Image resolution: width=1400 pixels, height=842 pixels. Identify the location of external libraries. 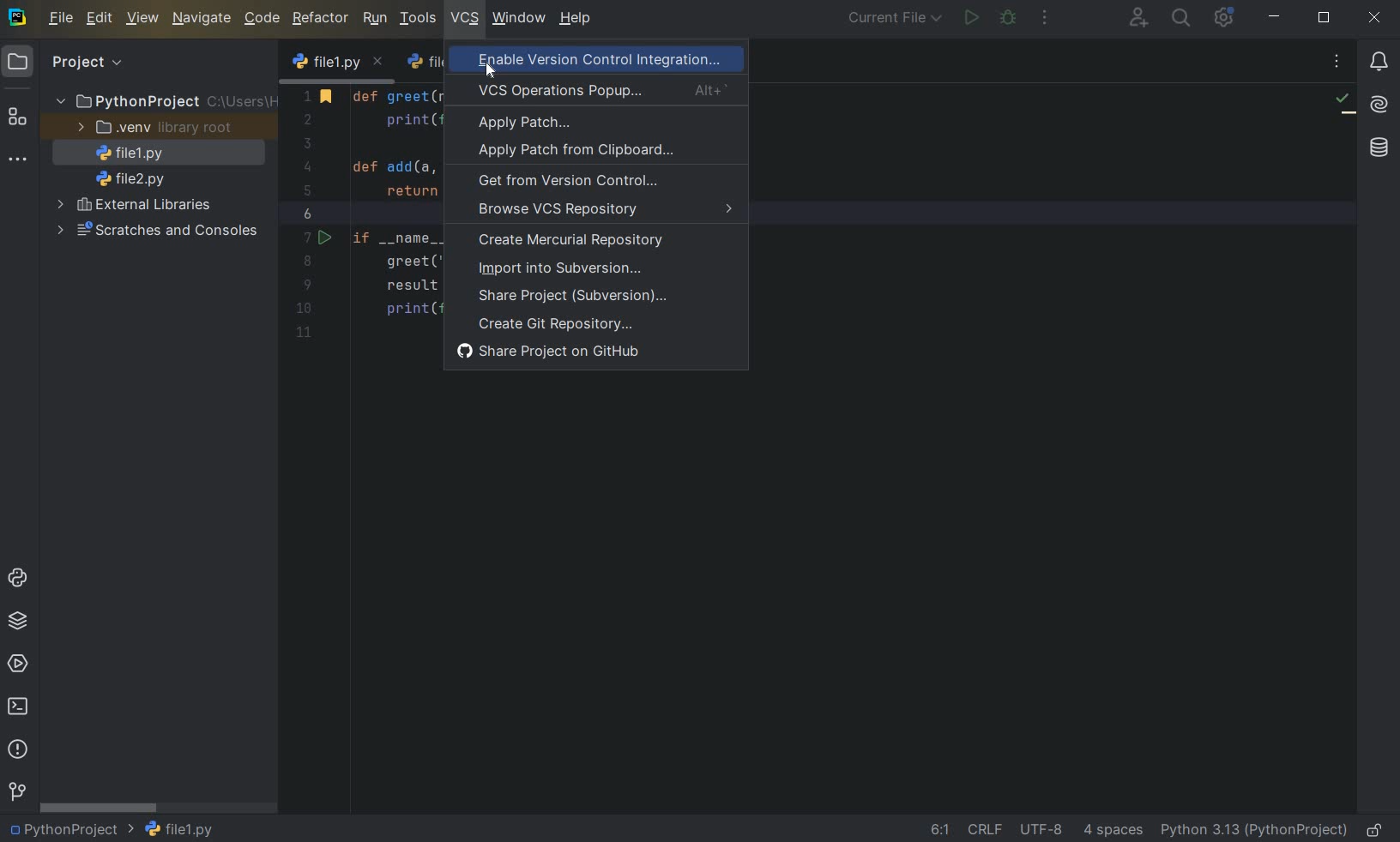
(135, 207).